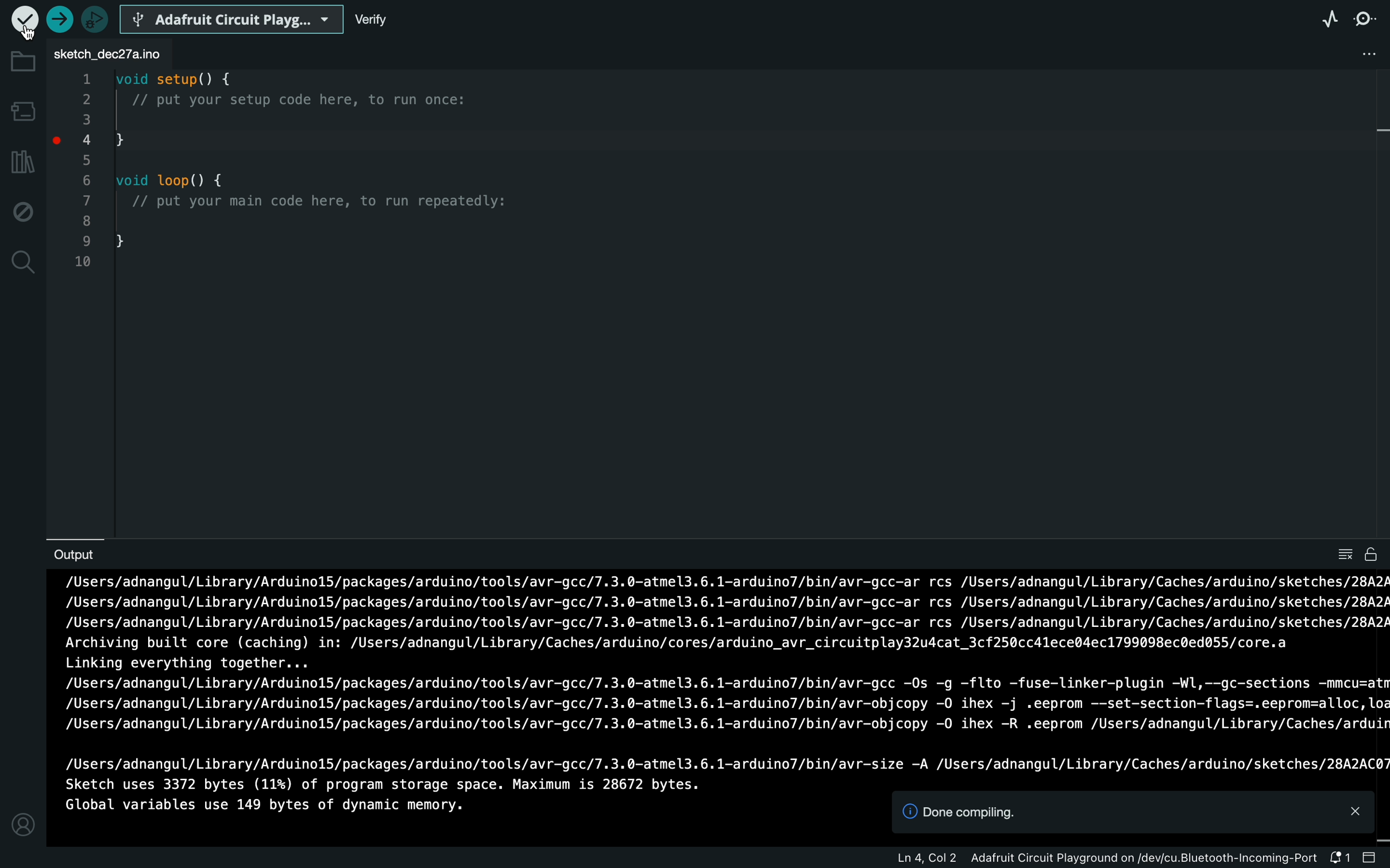 Image resolution: width=1390 pixels, height=868 pixels. Describe the element at coordinates (1353, 55) in the screenshot. I see `file setting` at that location.